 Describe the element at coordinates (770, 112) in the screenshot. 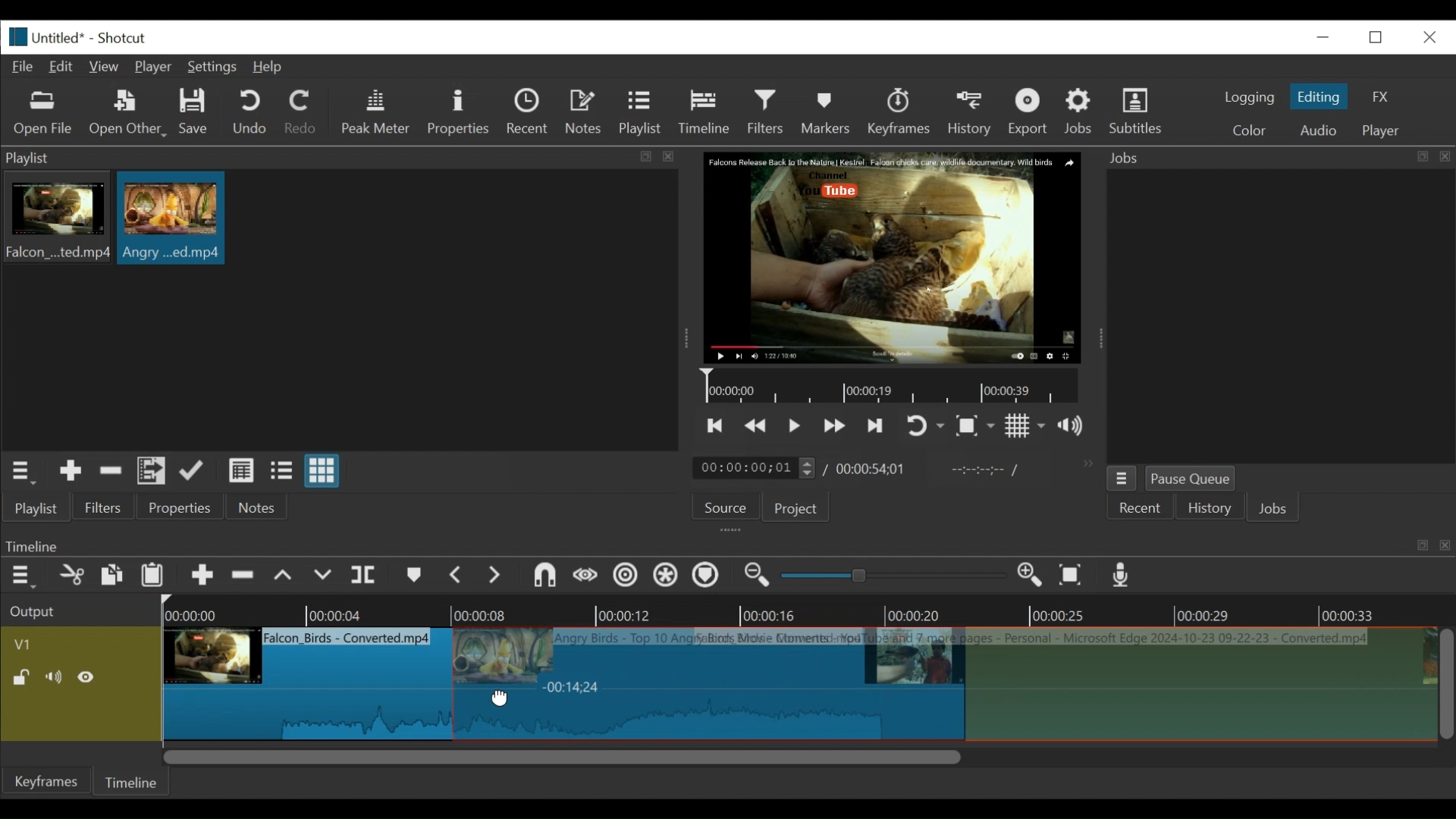

I see `Filters` at that location.